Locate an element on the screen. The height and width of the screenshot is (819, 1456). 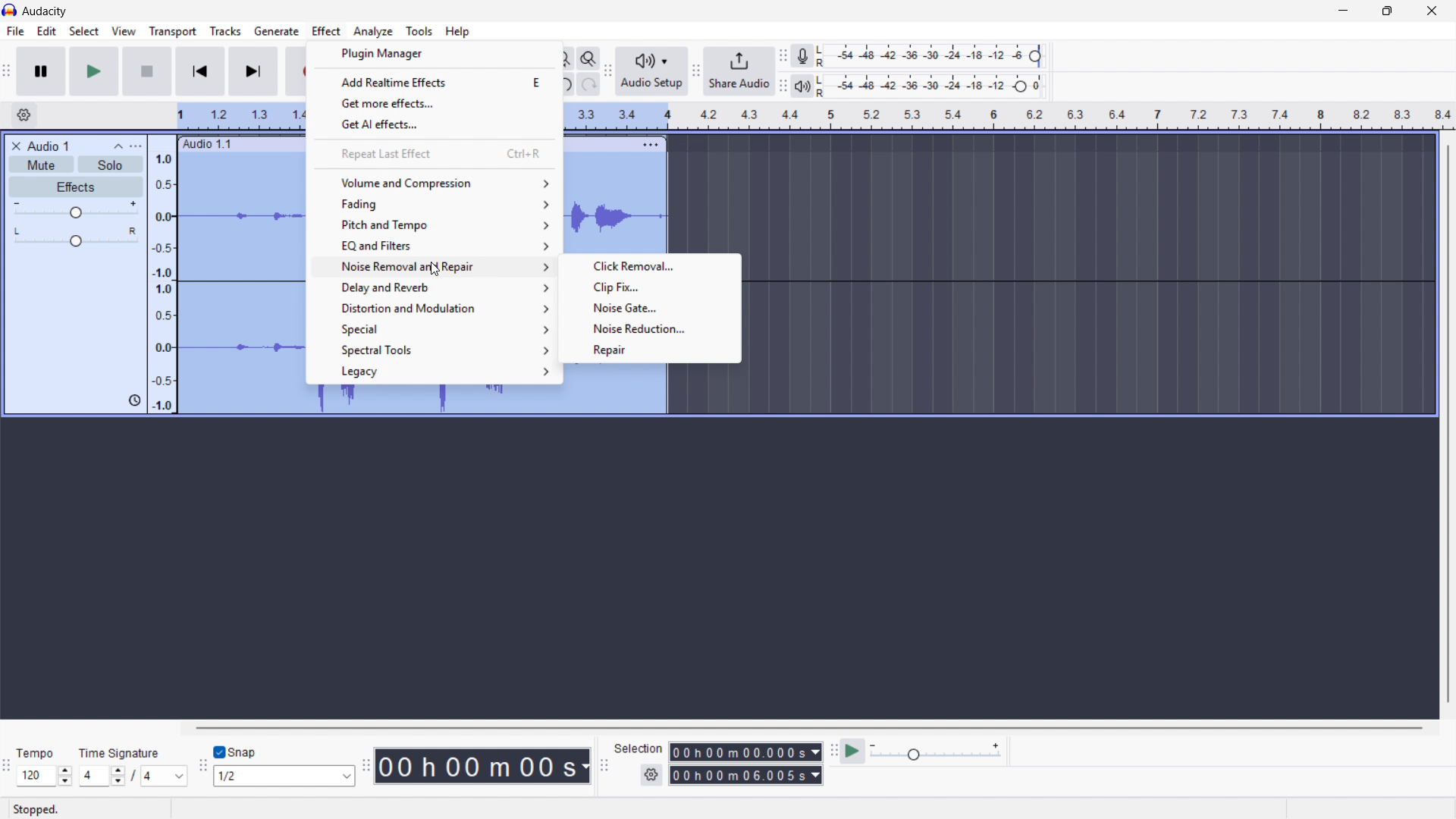
Add real time effects  is located at coordinates (435, 81).